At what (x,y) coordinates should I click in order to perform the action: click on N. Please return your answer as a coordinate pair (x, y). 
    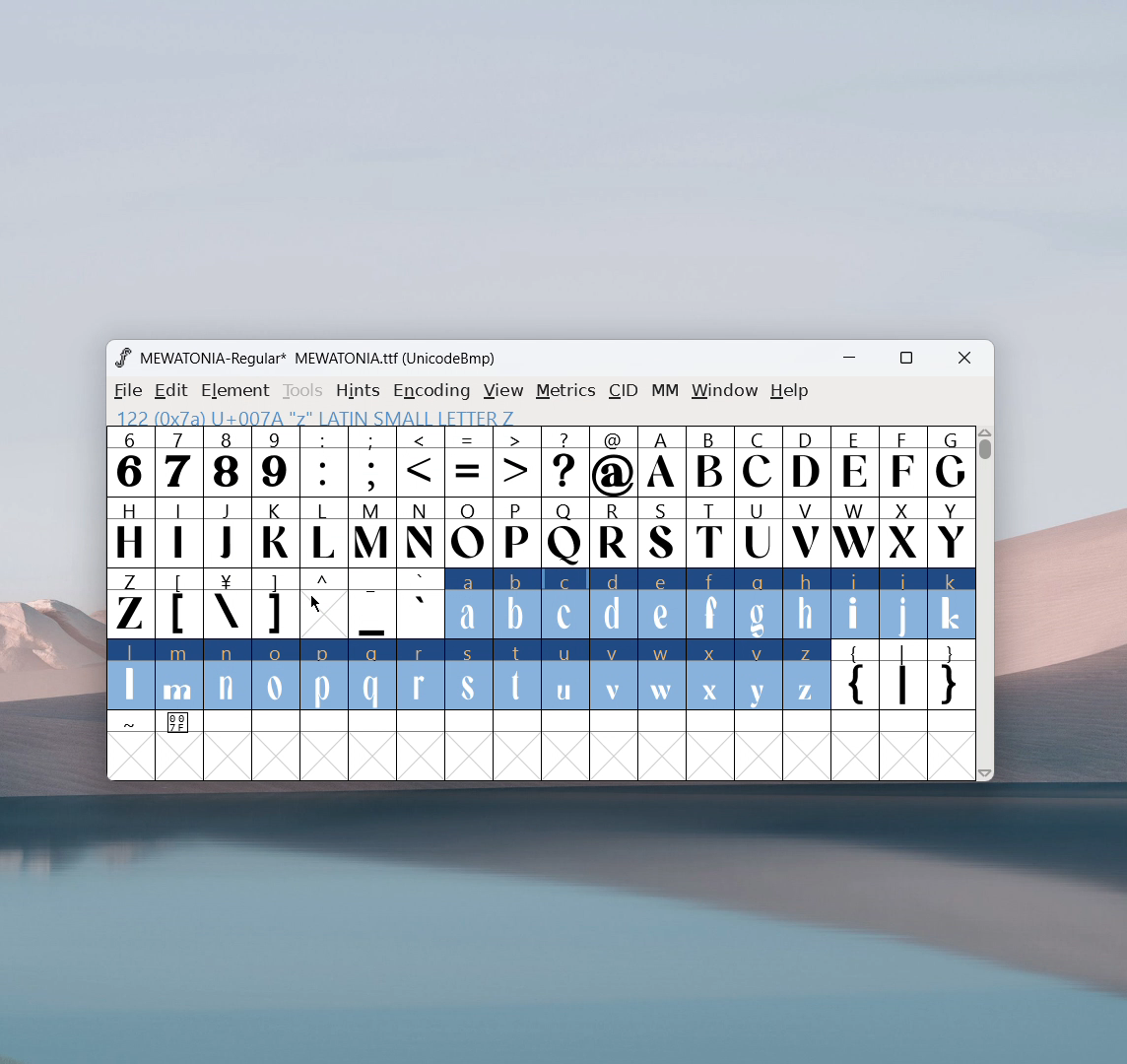
    Looking at the image, I should click on (421, 532).